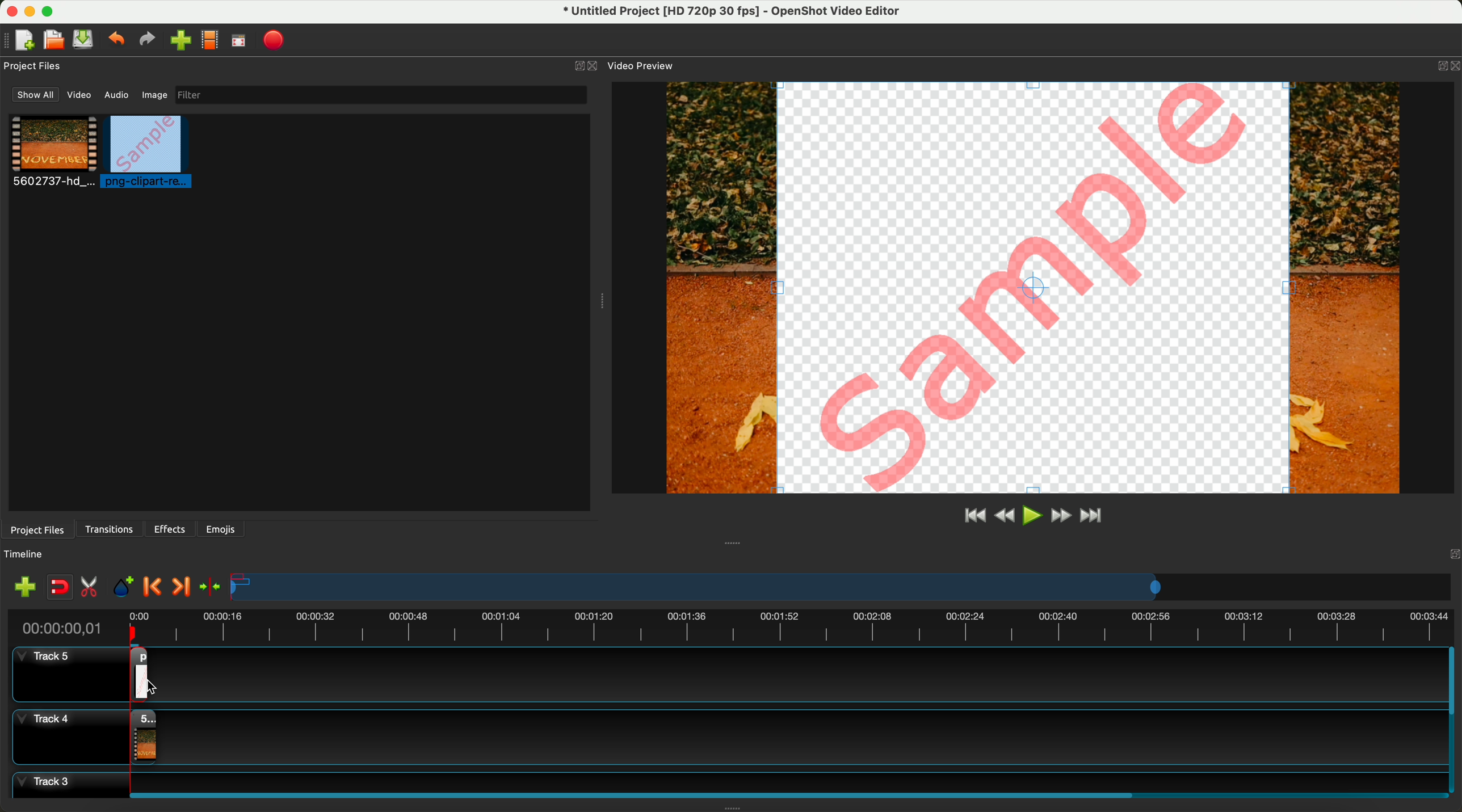  I want to click on disable snapping, so click(60, 588).